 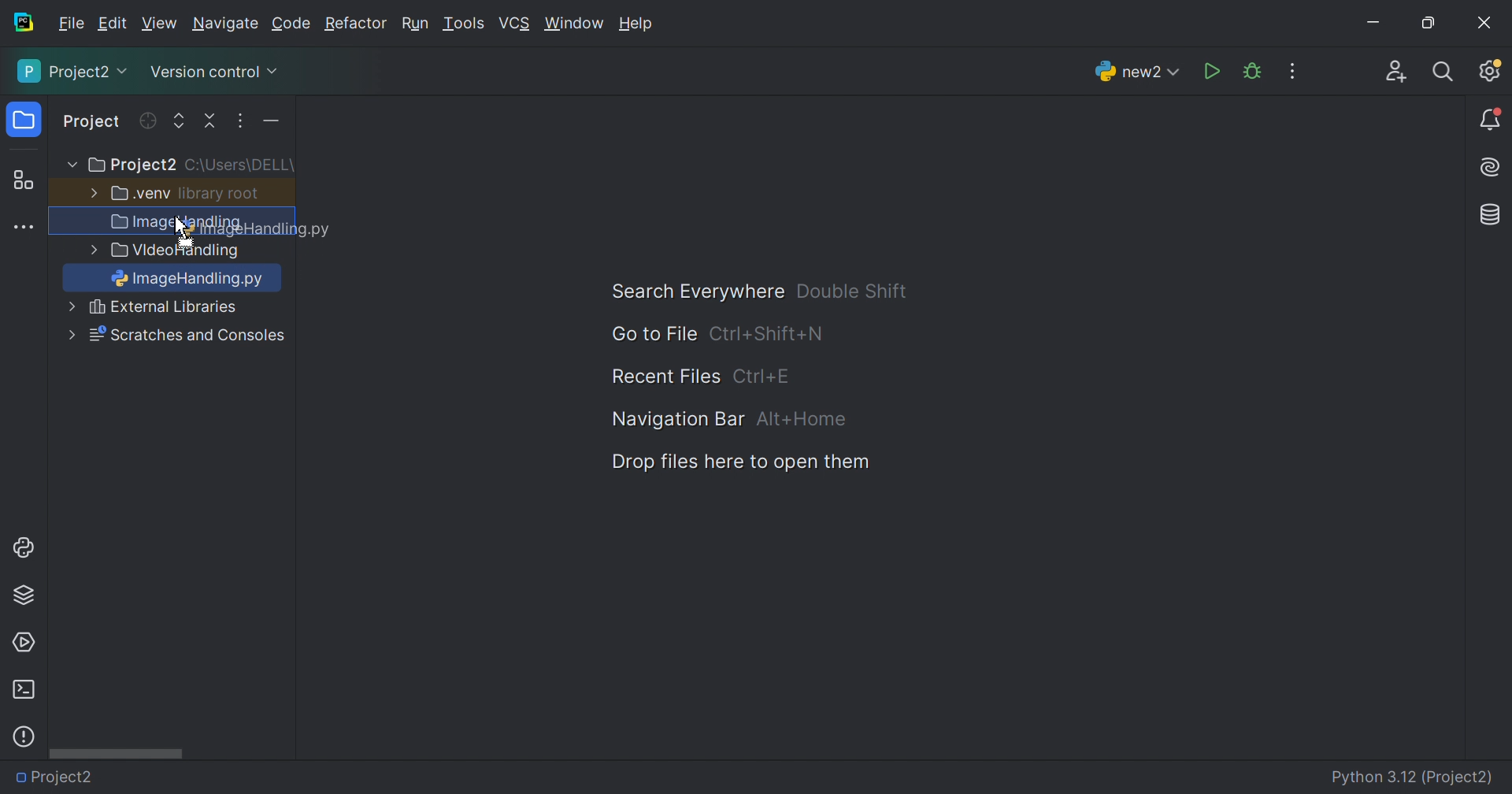 What do you see at coordinates (116, 752) in the screenshot?
I see `Scroll bar` at bounding box center [116, 752].